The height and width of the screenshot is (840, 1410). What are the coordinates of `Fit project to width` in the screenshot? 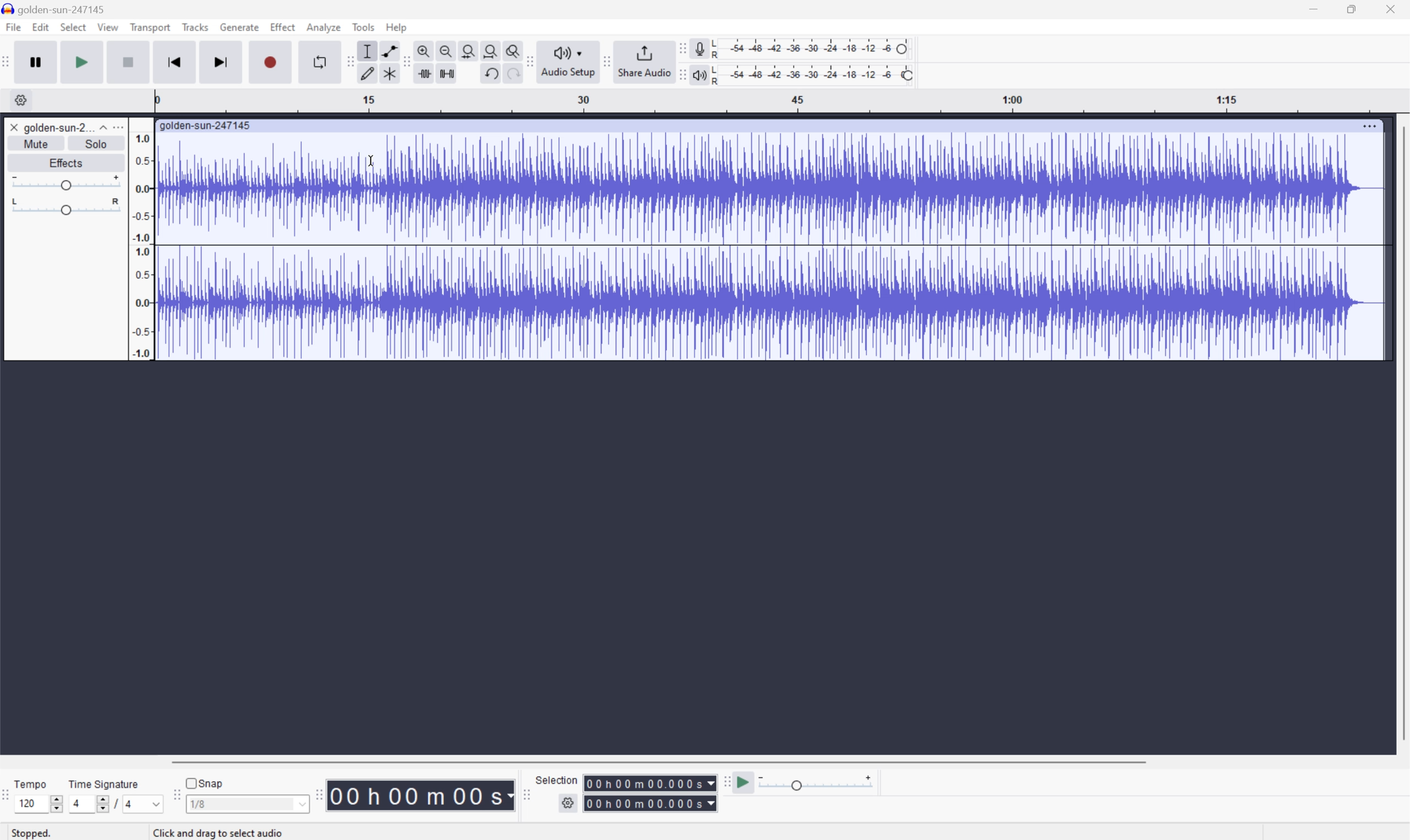 It's located at (493, 50).